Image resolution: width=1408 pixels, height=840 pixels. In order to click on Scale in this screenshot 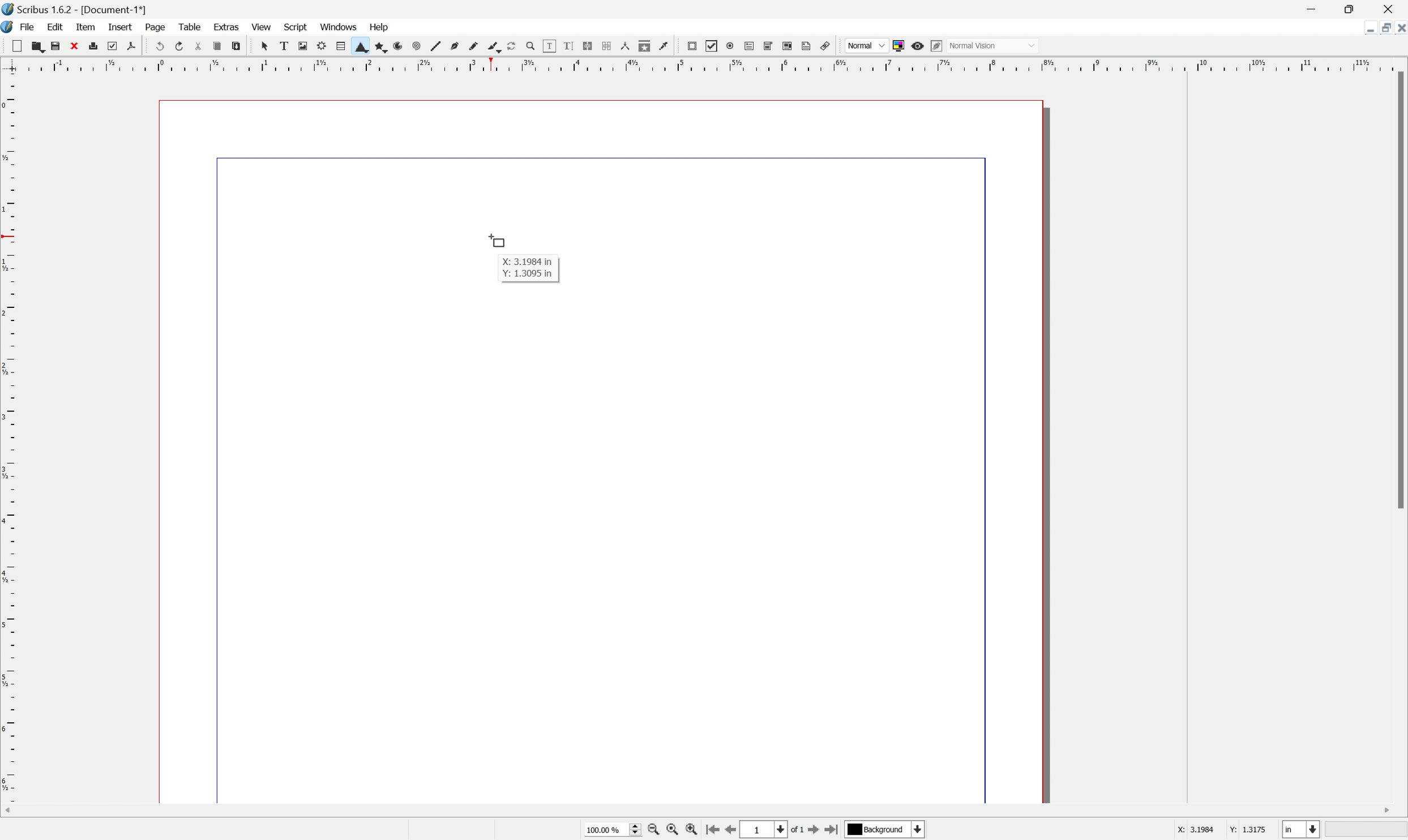, I will do `click(703, 63)`.